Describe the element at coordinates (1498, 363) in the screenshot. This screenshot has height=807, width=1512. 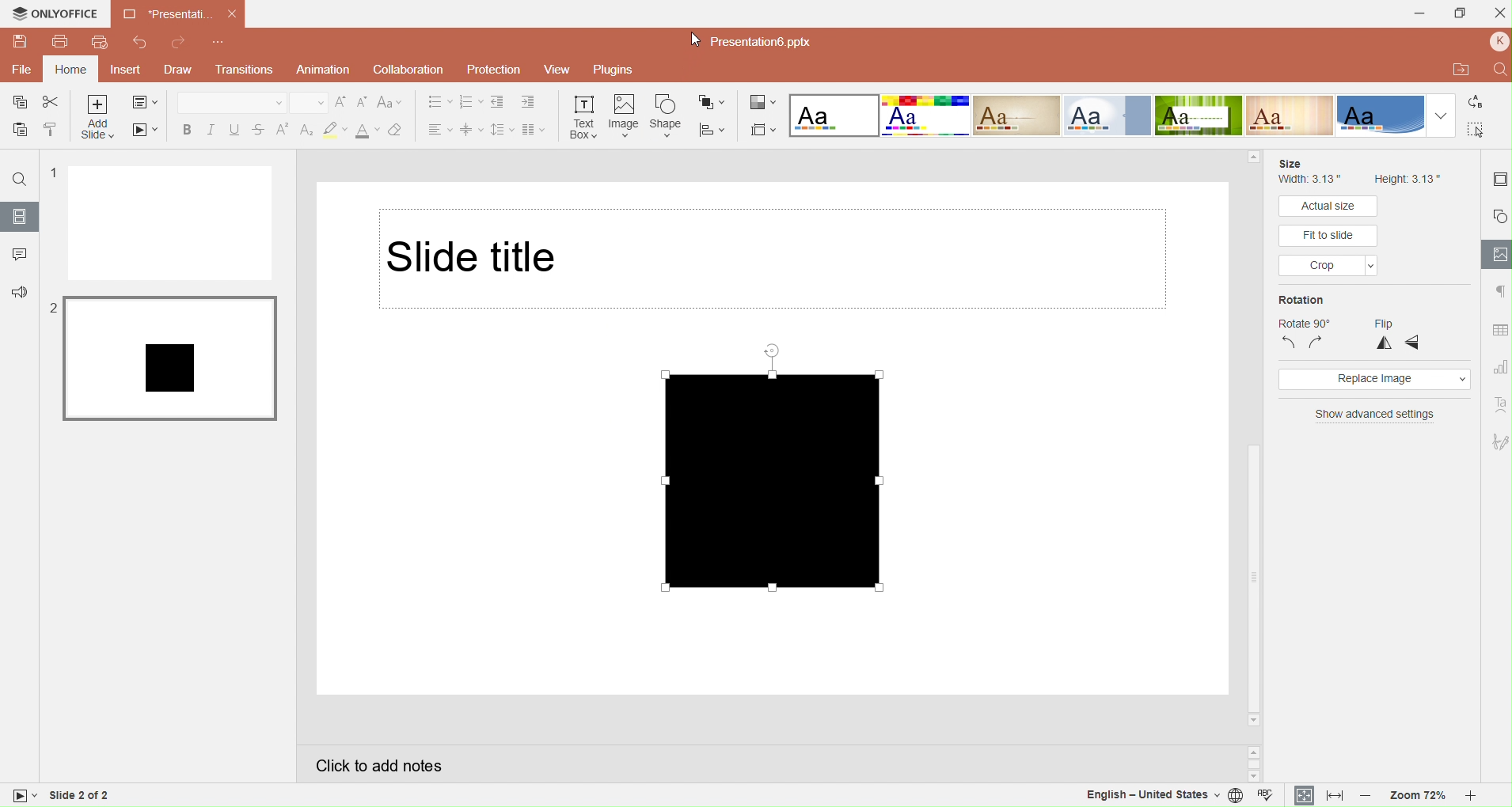
I see `Chart setting` at that location.